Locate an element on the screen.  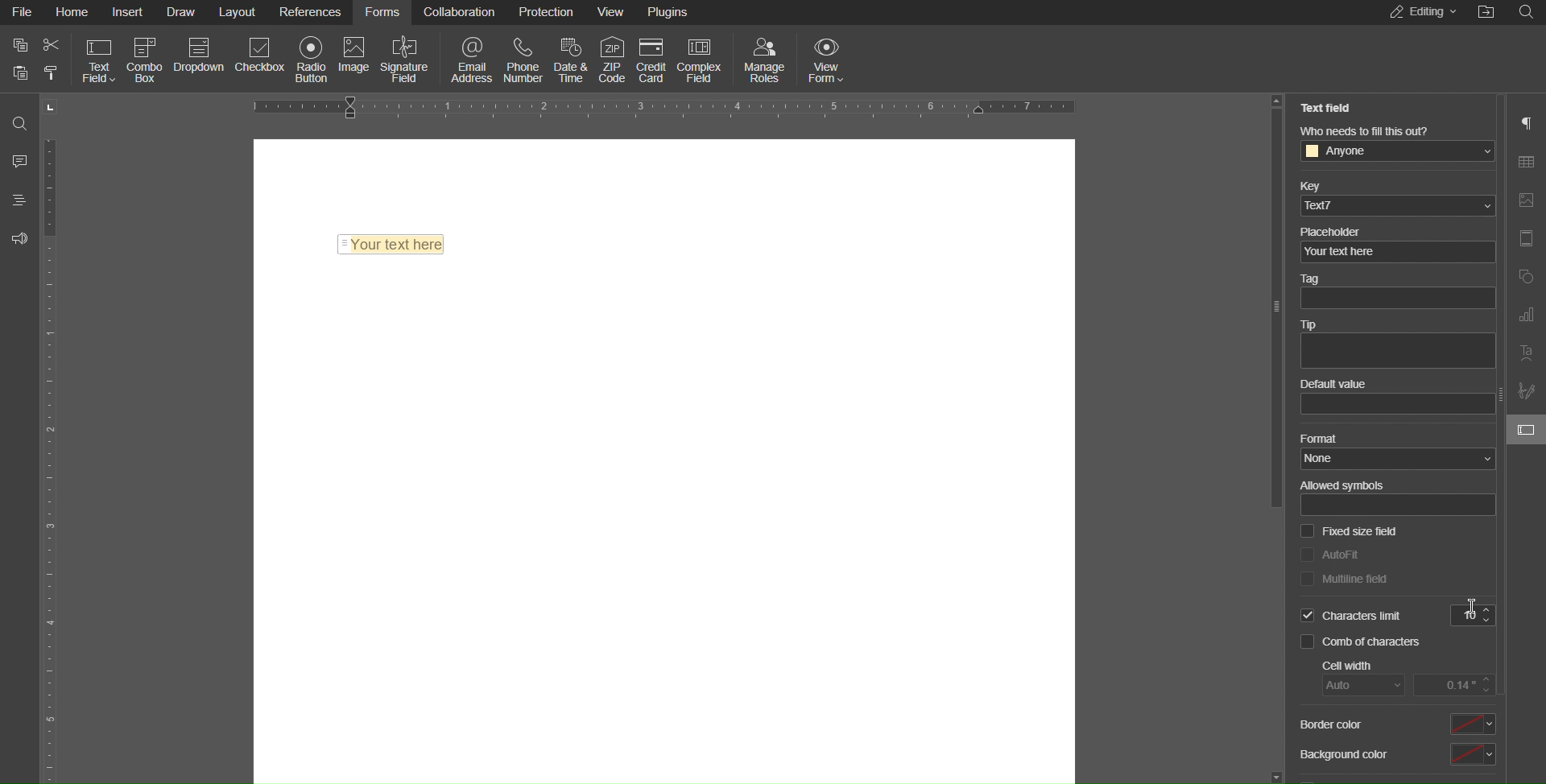
draw is located at coordinates (184, 14).